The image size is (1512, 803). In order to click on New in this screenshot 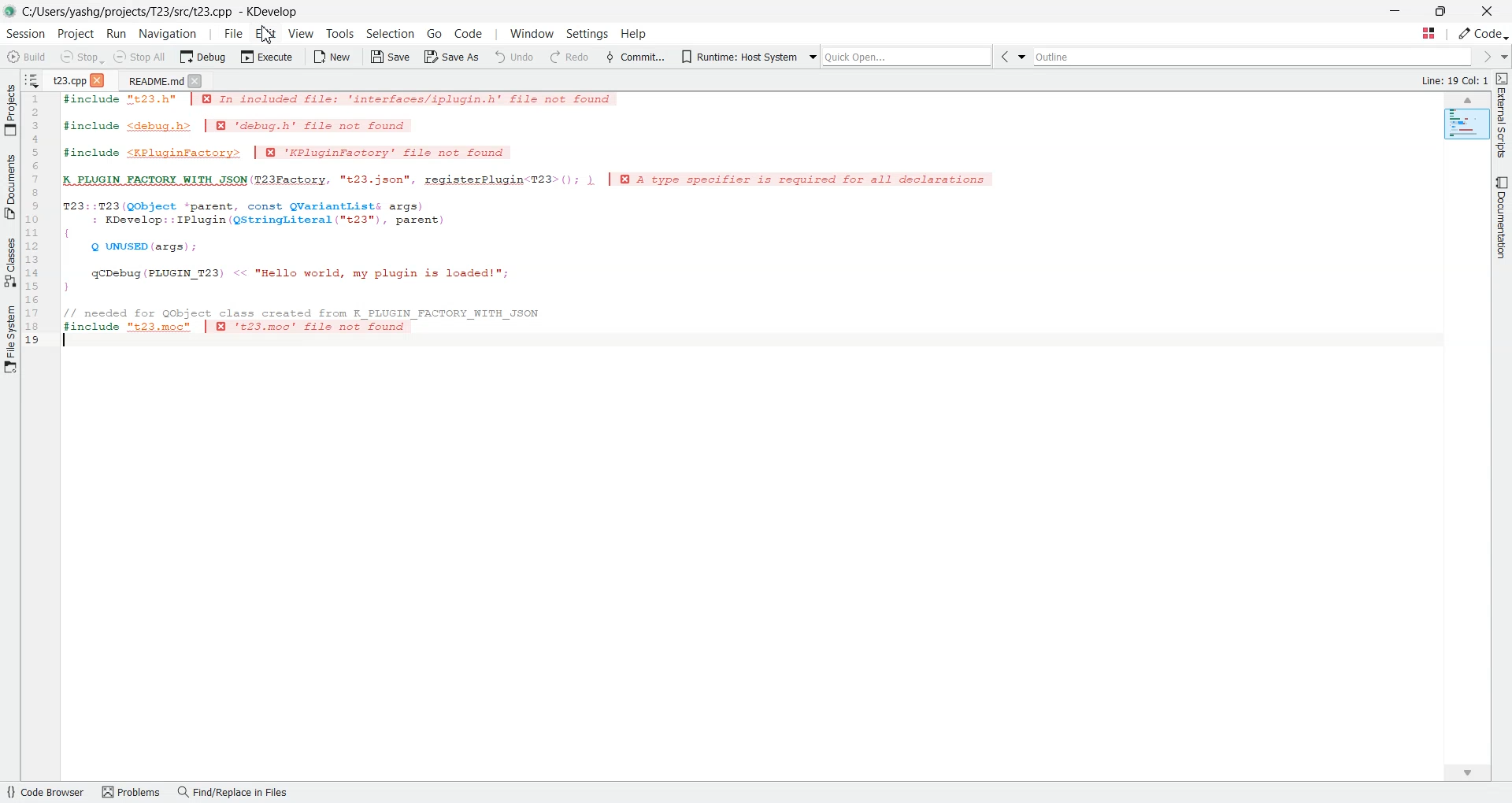, I will do `click(333, 56)`.